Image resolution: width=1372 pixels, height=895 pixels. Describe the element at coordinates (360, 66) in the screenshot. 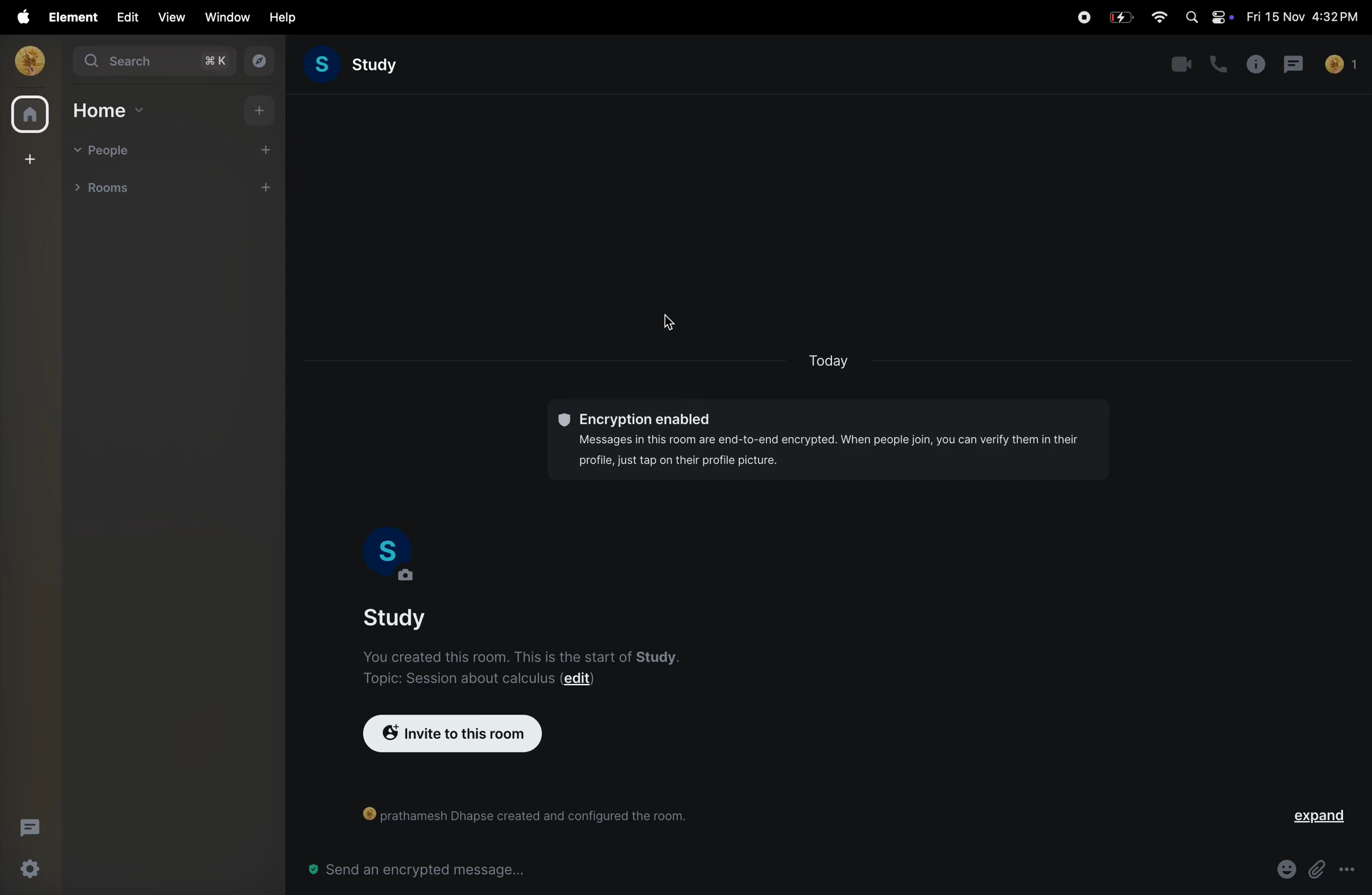

I see `Study room` at that location.